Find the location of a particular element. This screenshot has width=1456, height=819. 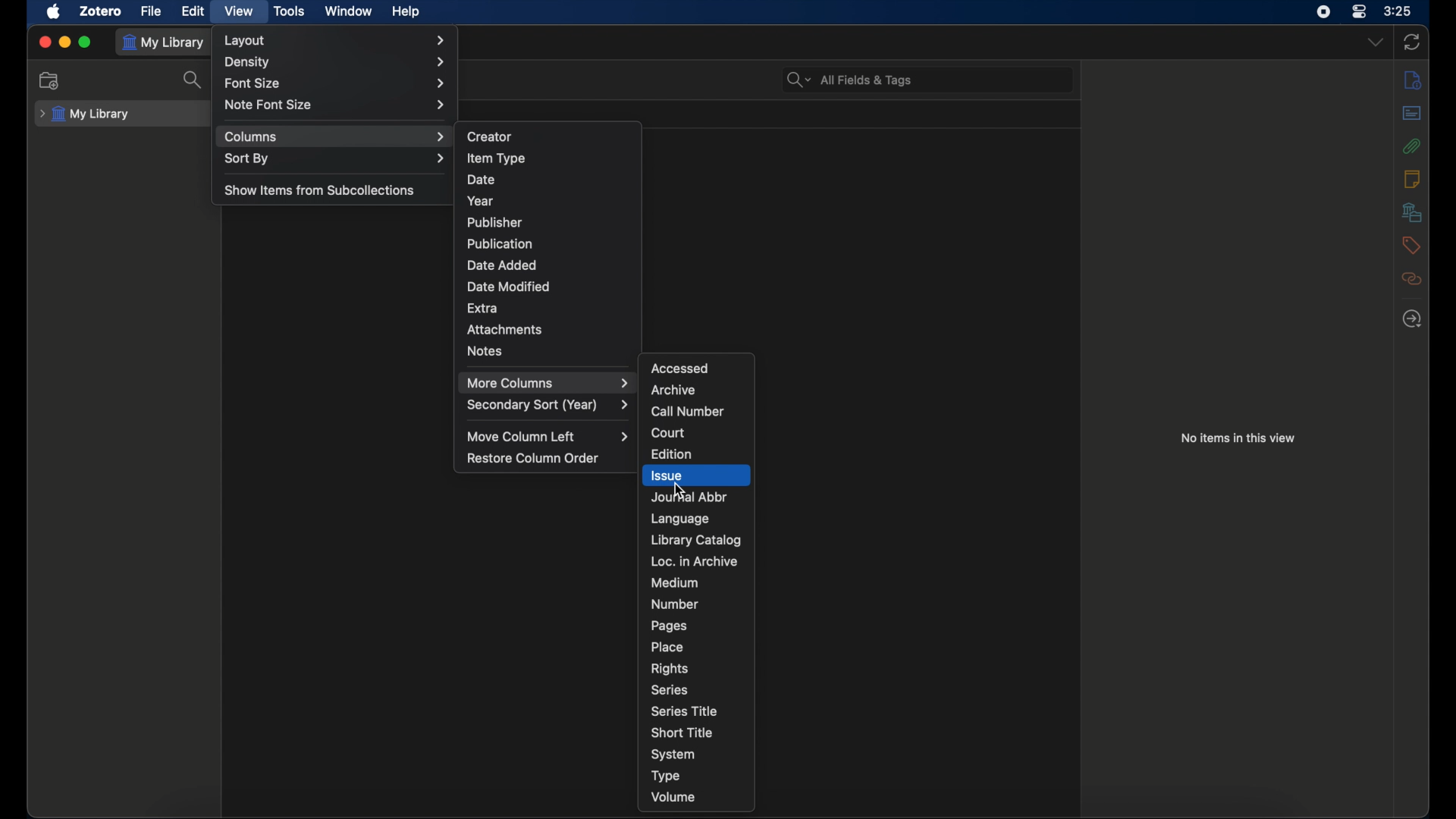

type is located at coordinates (666, 776).